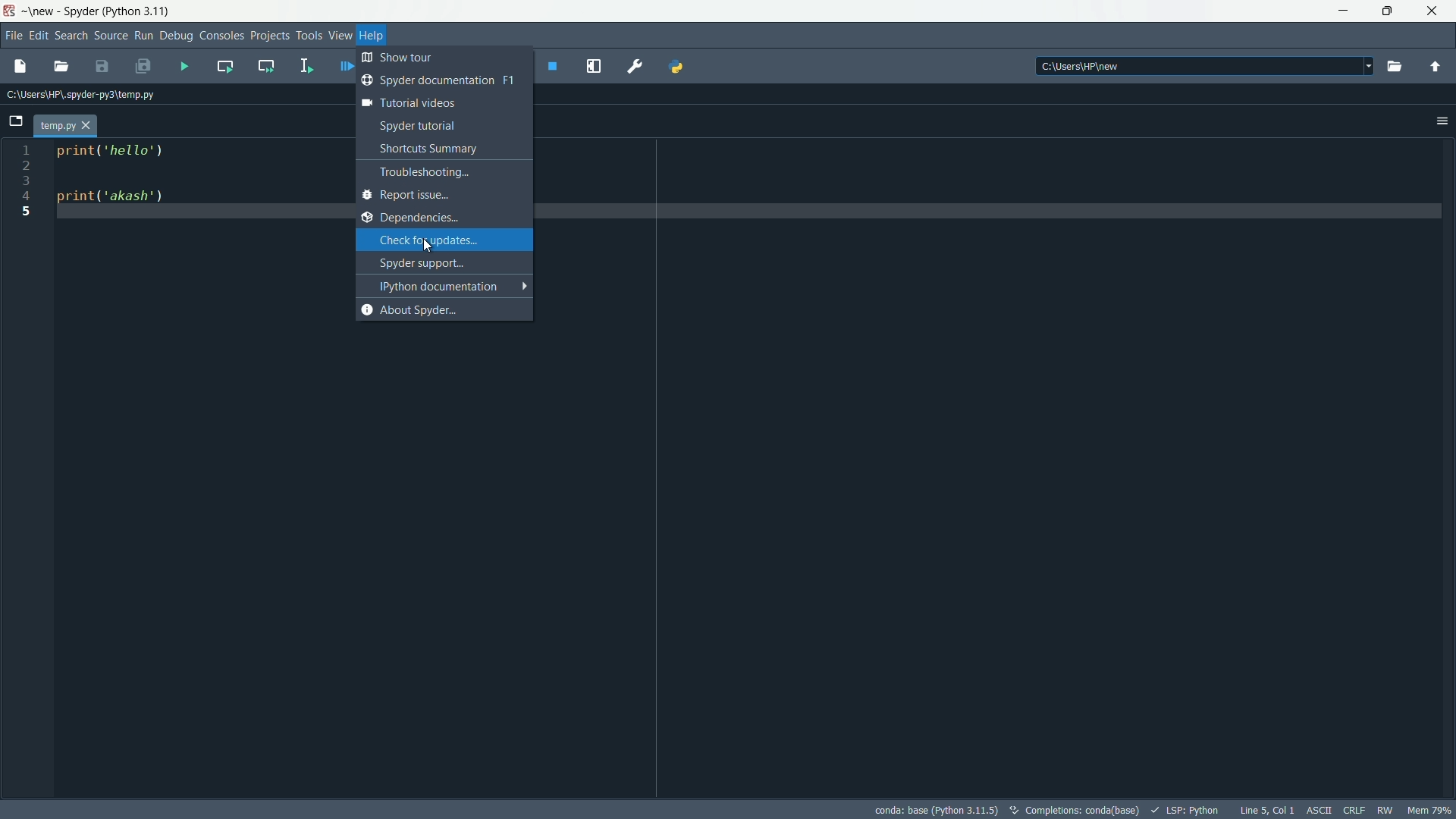 The height and width of the screenshot is (819, 1456). I want to click on rw, so click(1387, 811).